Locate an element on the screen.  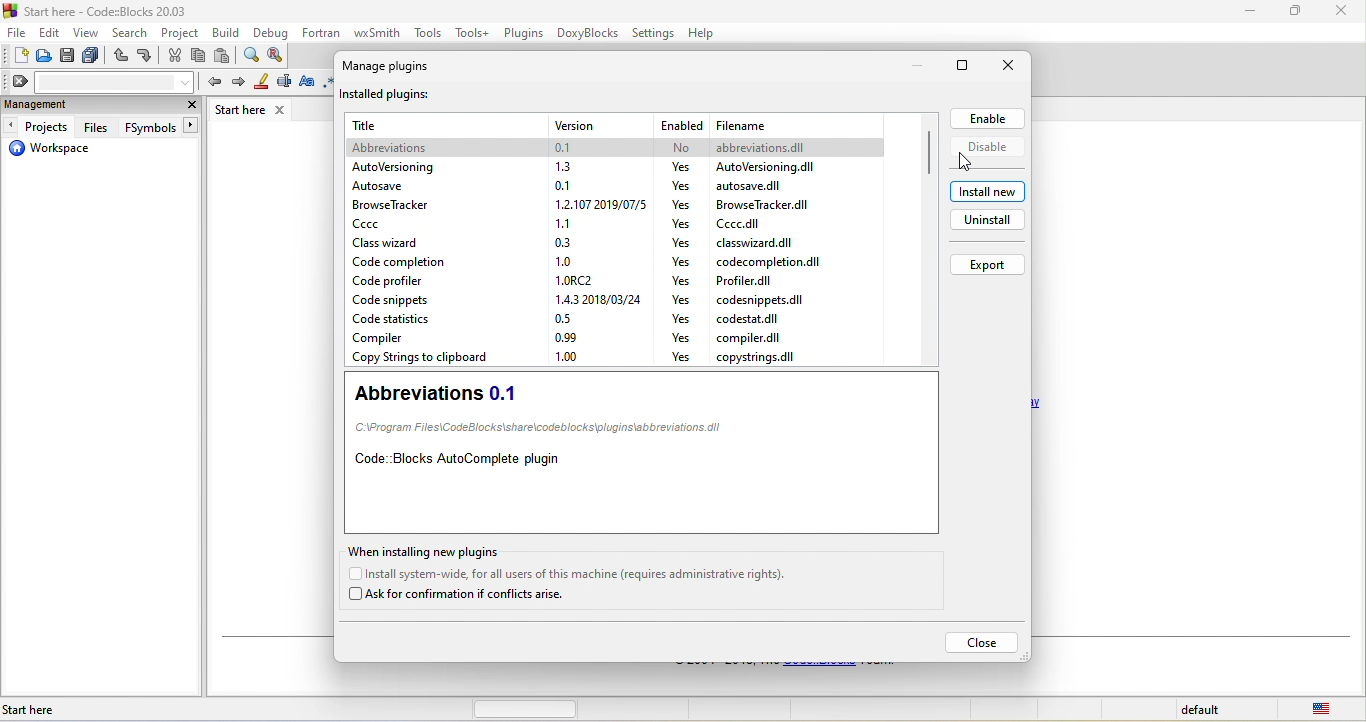
version is located at coordinates (566, 262).